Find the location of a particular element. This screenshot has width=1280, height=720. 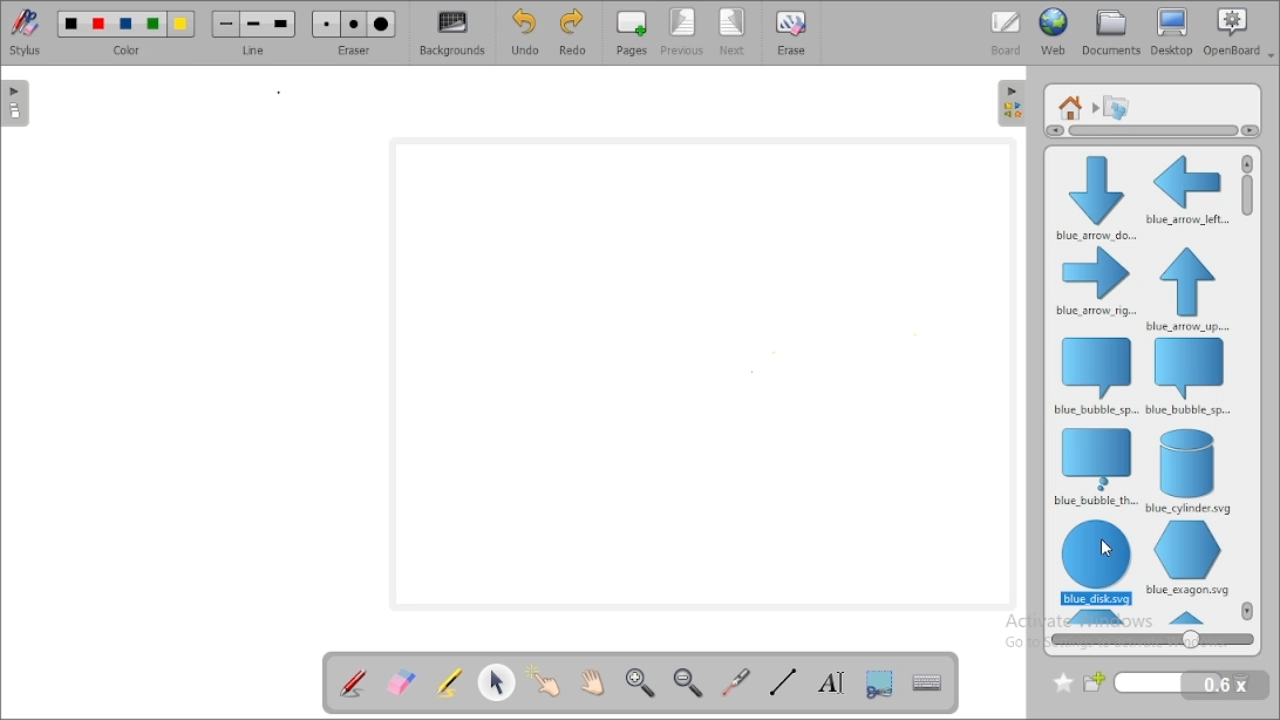

pages is located at coordinates (631, 33).